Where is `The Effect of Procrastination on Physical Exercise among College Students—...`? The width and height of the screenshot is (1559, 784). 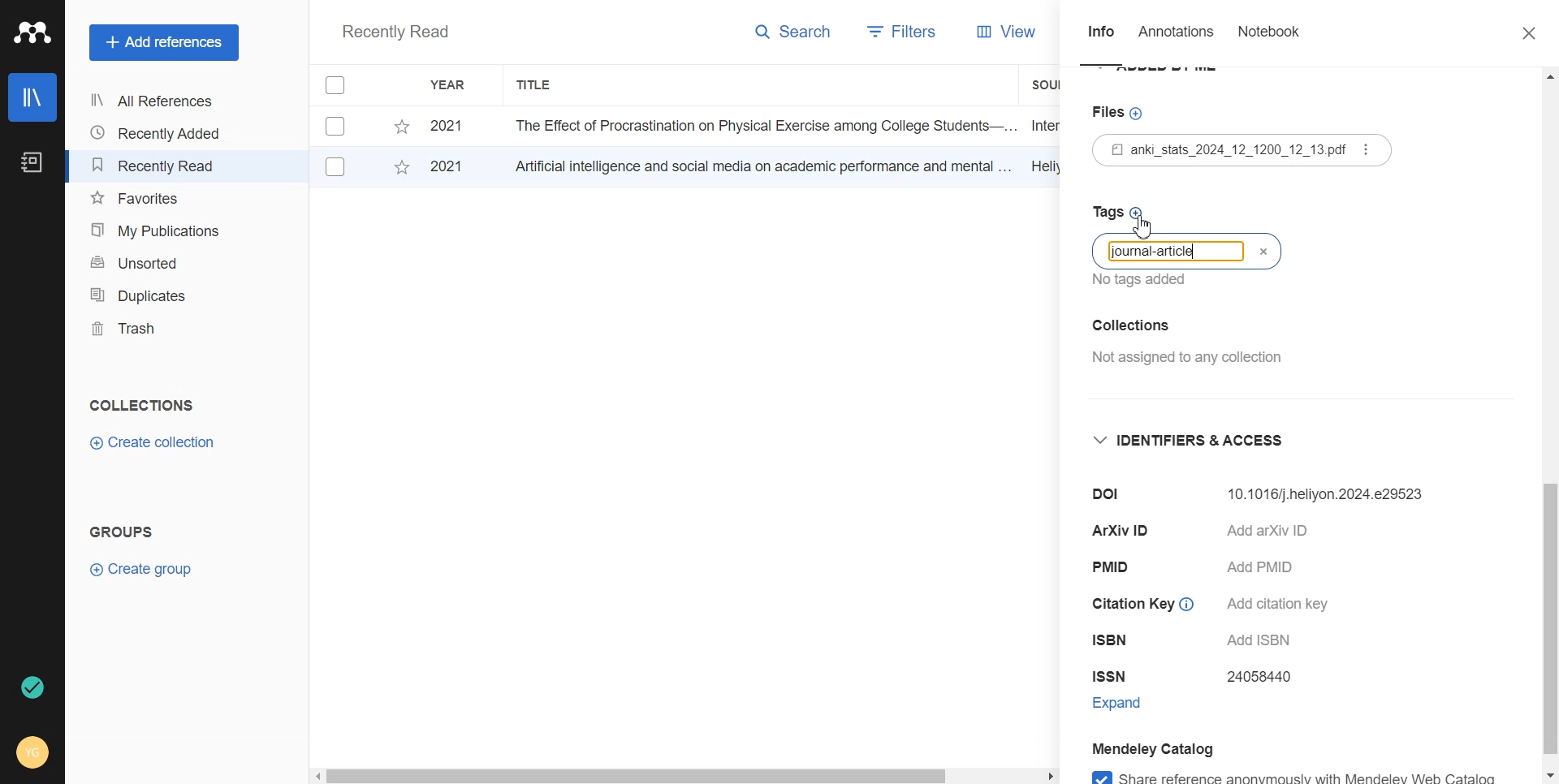 The Effect of Procrastination on Physical Exercise among College Students—... is located at coordinates (759, 125).